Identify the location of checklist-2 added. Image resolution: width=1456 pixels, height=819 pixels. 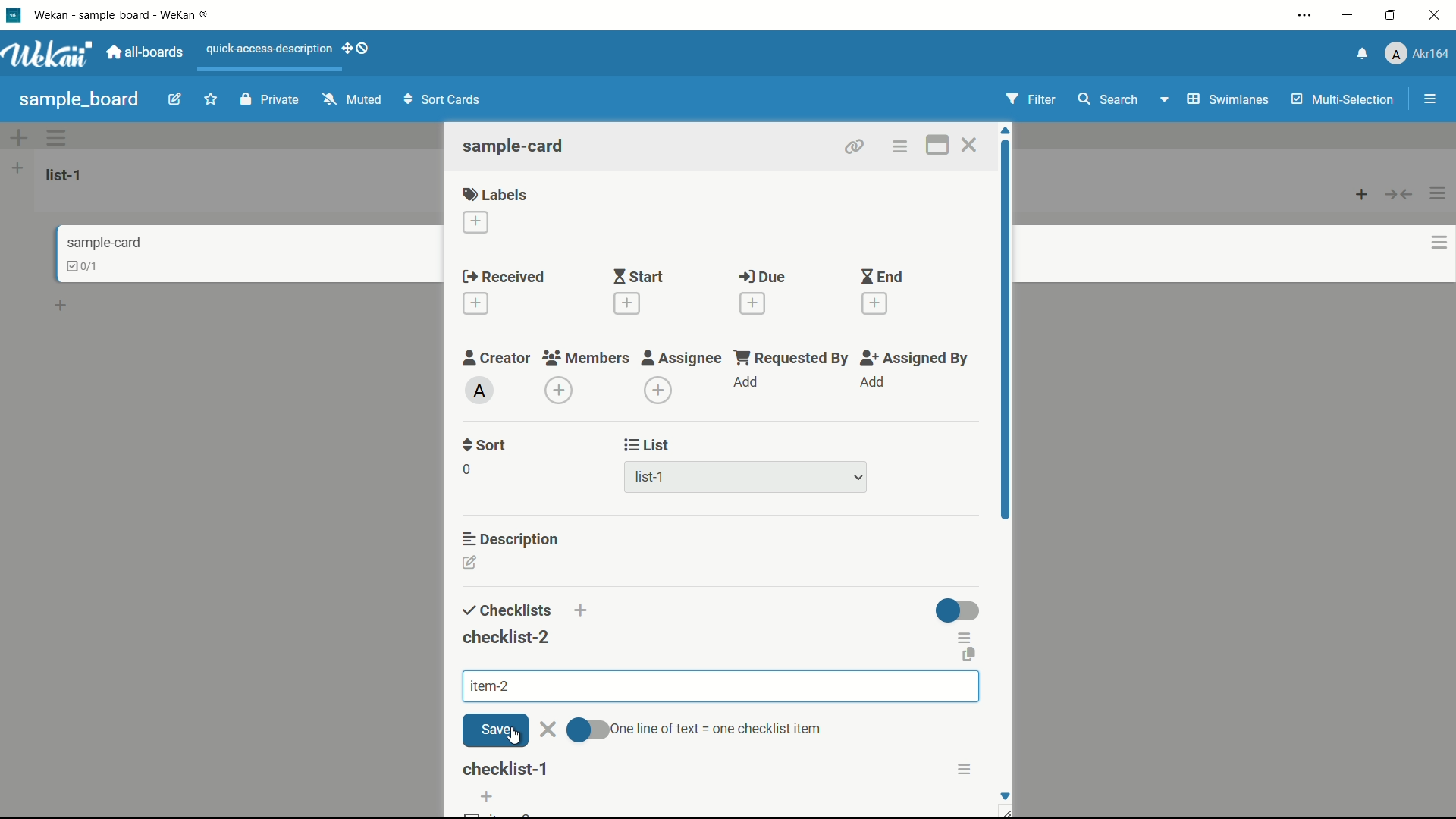
(506, 637).